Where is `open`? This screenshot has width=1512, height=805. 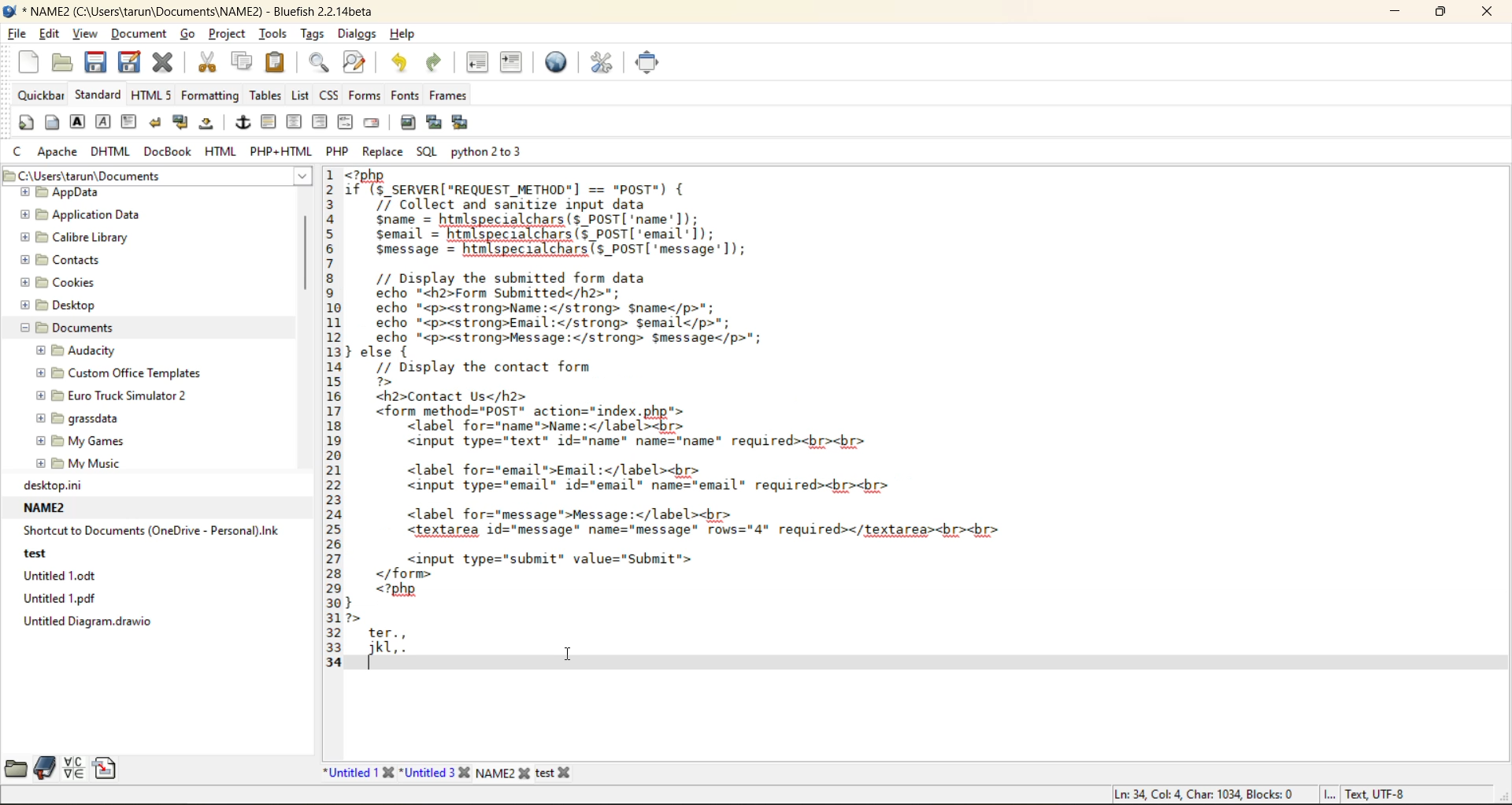
open is located at coordinates (59, 62).